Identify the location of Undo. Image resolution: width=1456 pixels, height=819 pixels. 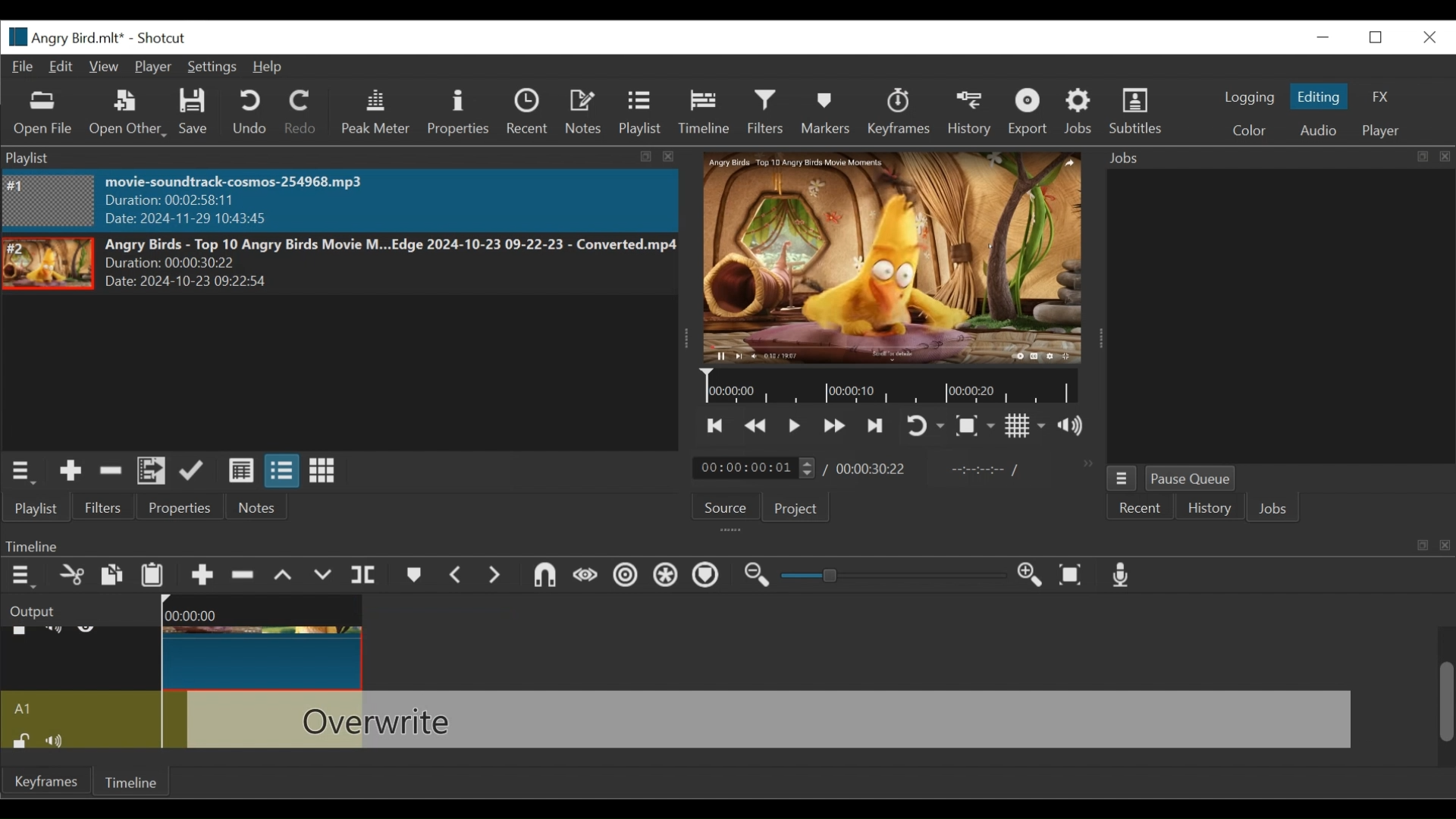
(251, 112).